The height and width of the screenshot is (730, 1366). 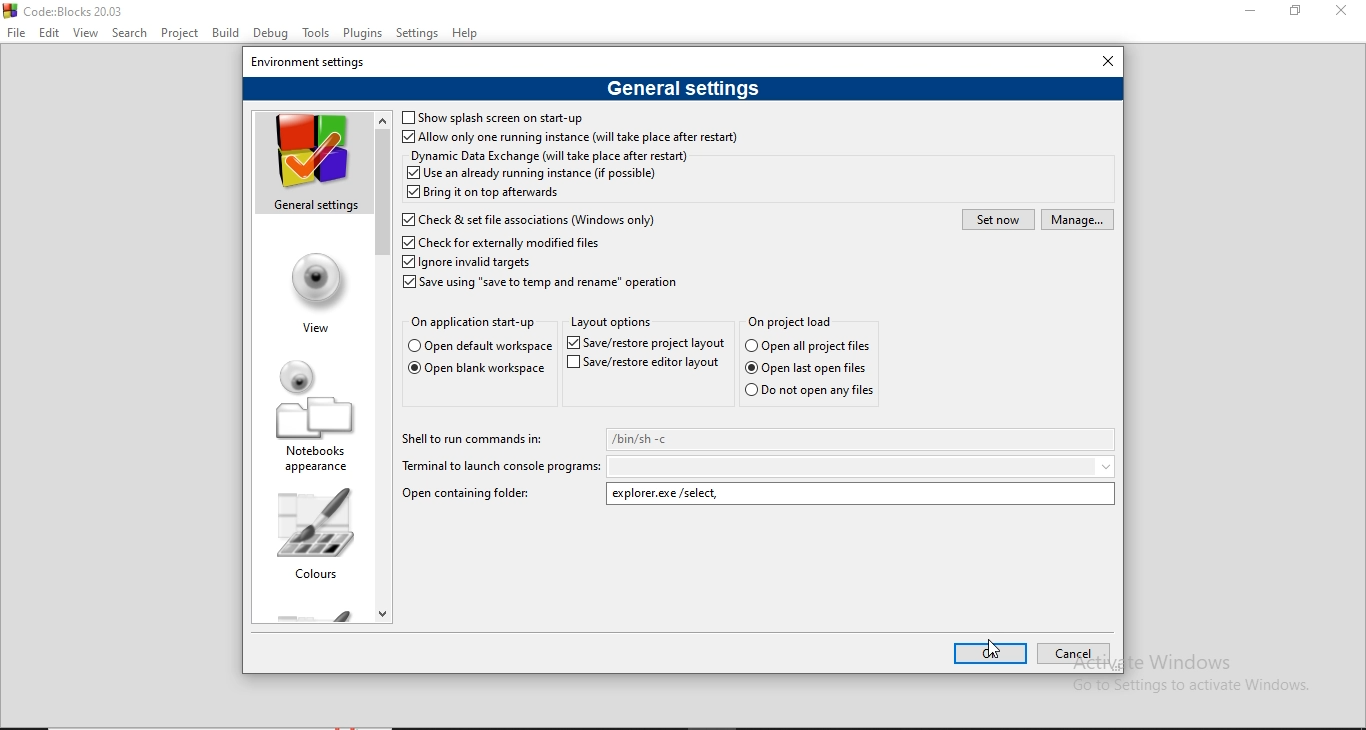 What do you see at coordinates (1293, 13) in the screenshot?
I see `Restore` at bounding box center [1293, 13].